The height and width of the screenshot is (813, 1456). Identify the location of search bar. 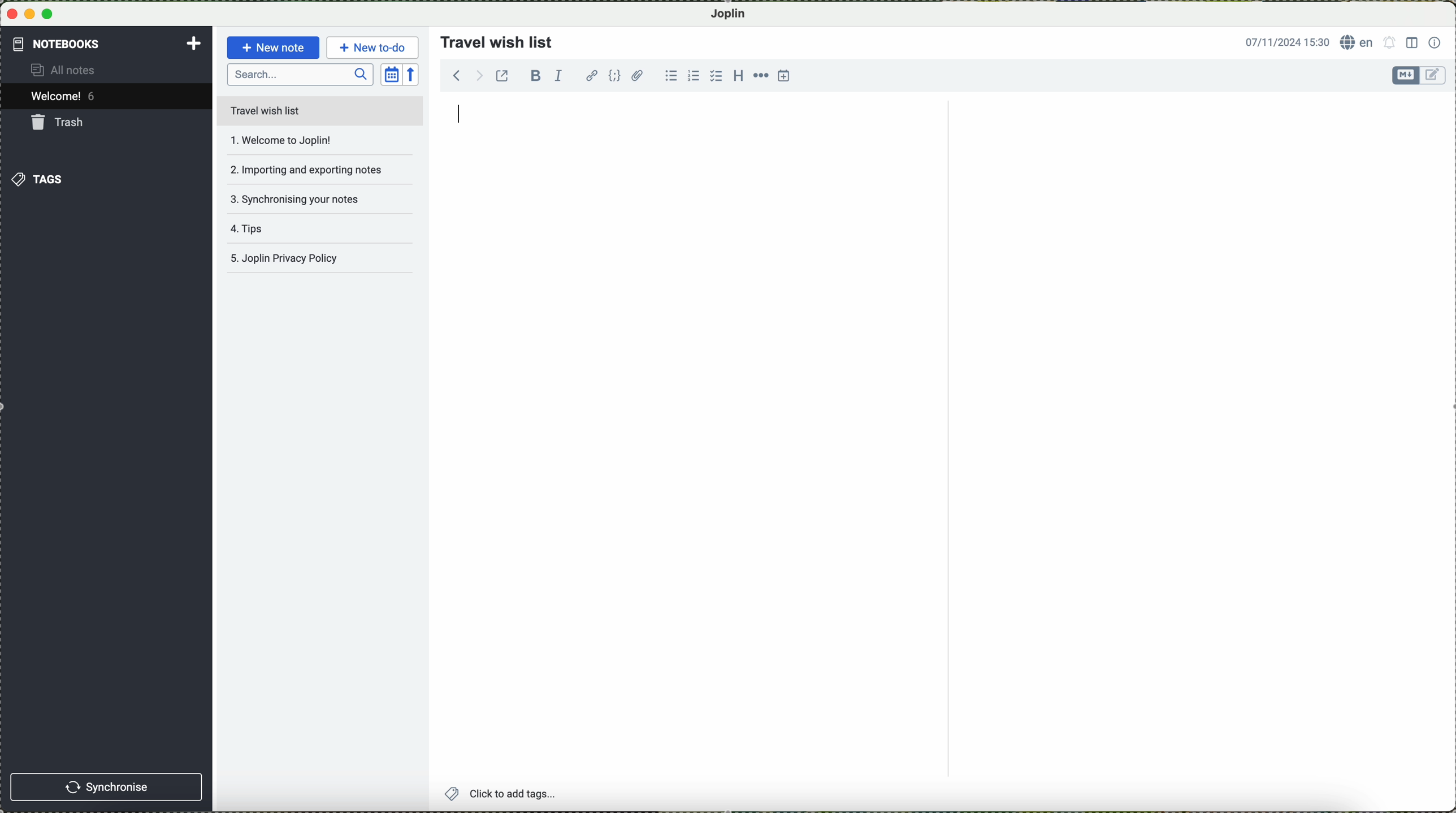
(300, 75).